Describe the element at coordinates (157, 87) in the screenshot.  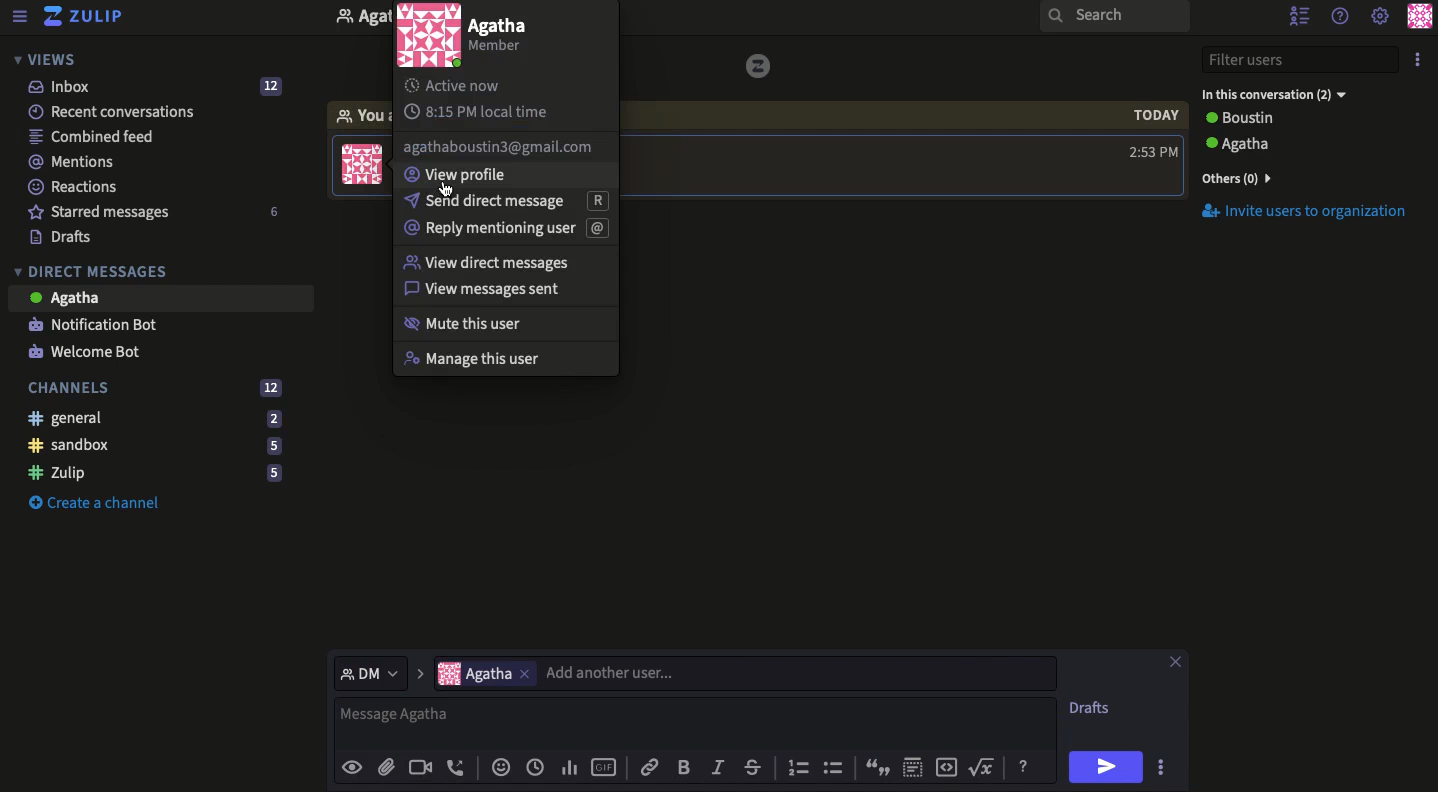
I see `Inbox` at that location.